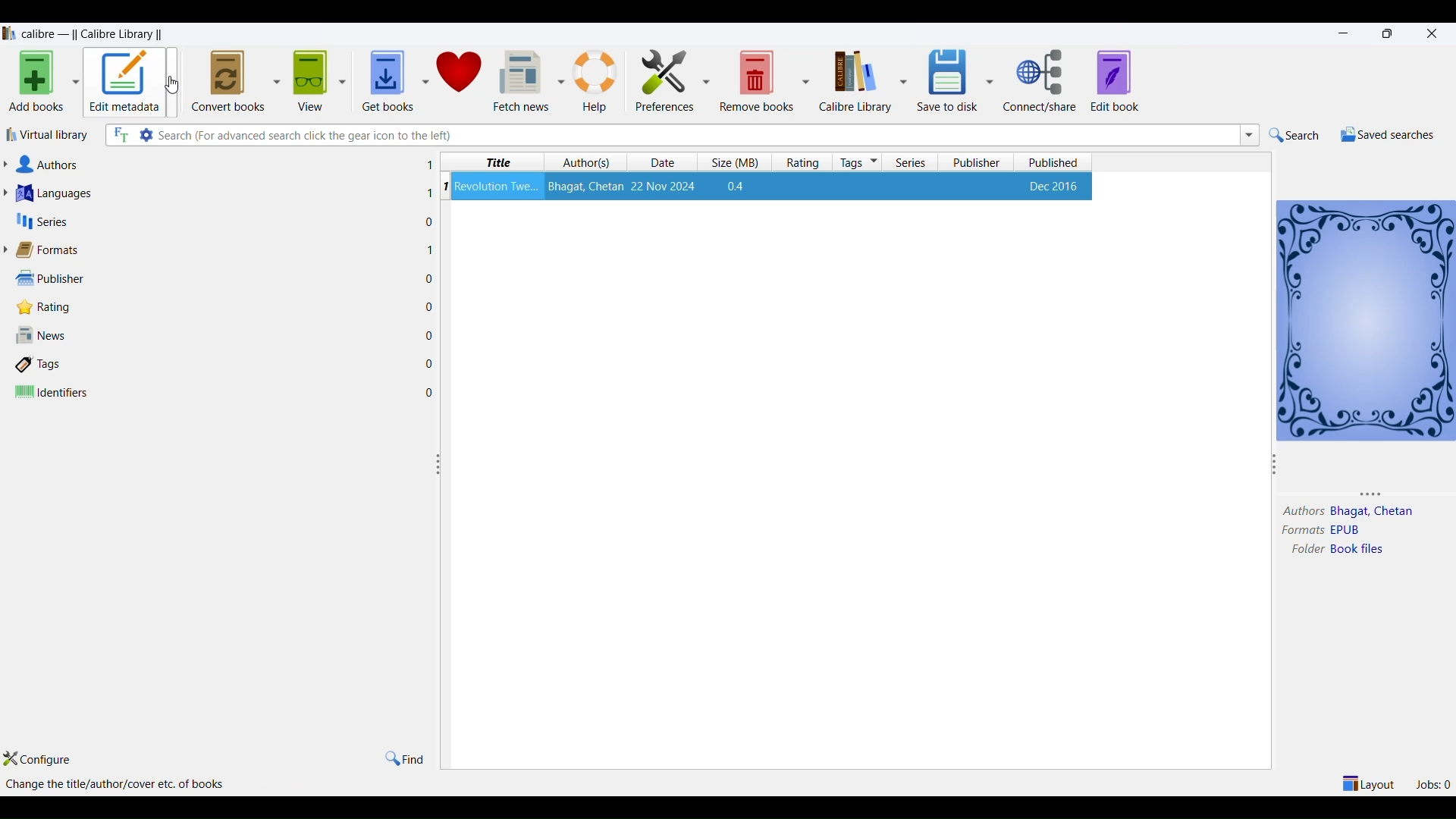 The width and height of the screenshot is (1456, 819). What do you see at coordinates (40, 307) in the screenshot?
I see `rating` at bounding box center [40, 307].